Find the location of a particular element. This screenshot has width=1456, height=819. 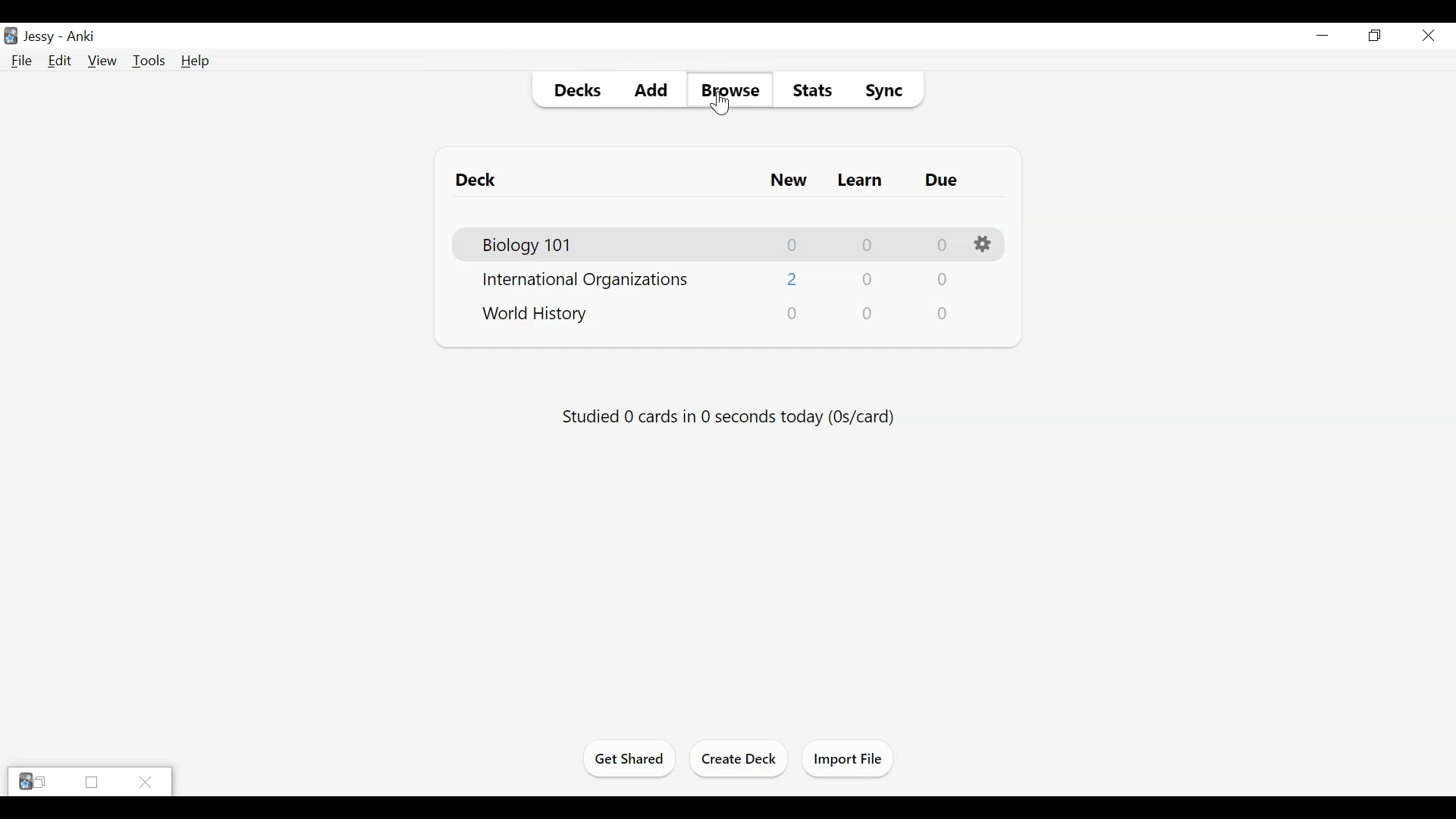

Anki Restore tabs is located at coordinates (33, 782).